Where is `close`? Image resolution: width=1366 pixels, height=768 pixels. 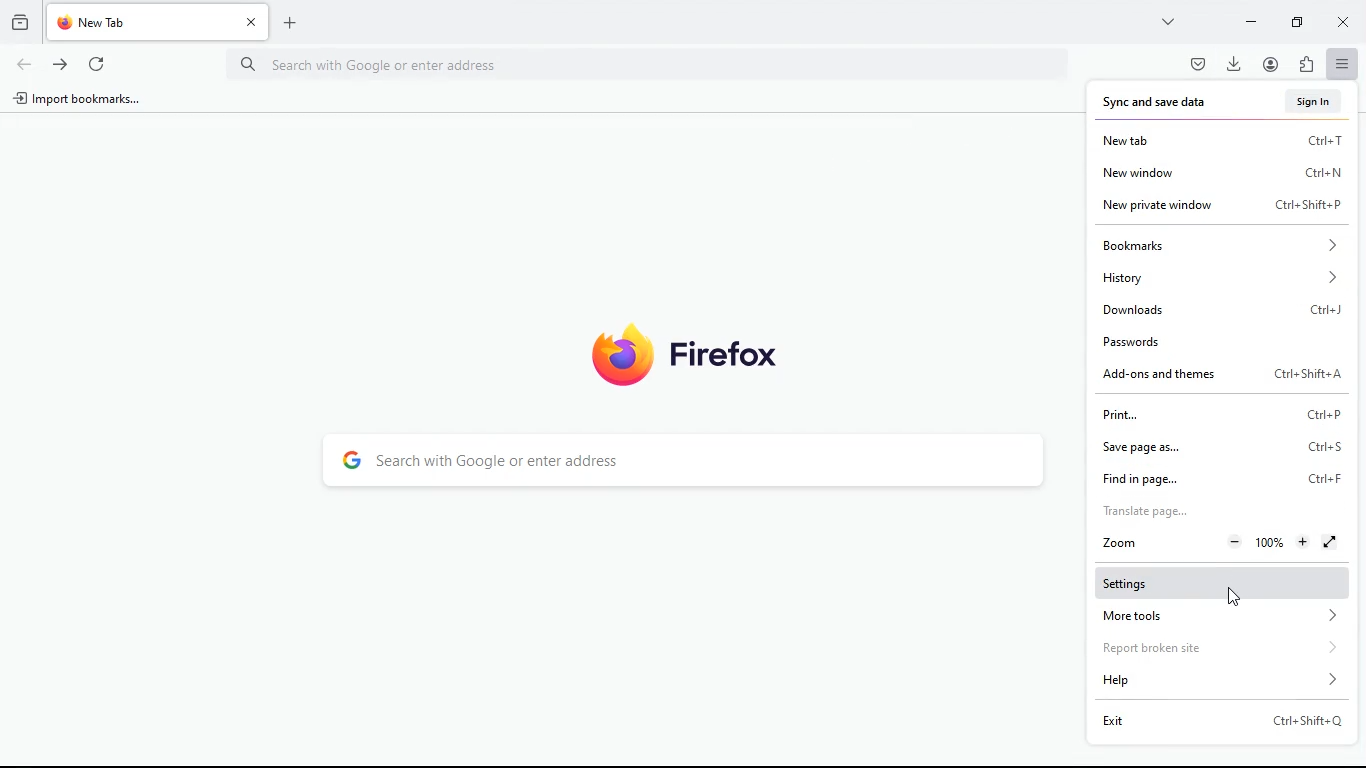
close is located at coordinates (1346, 24).